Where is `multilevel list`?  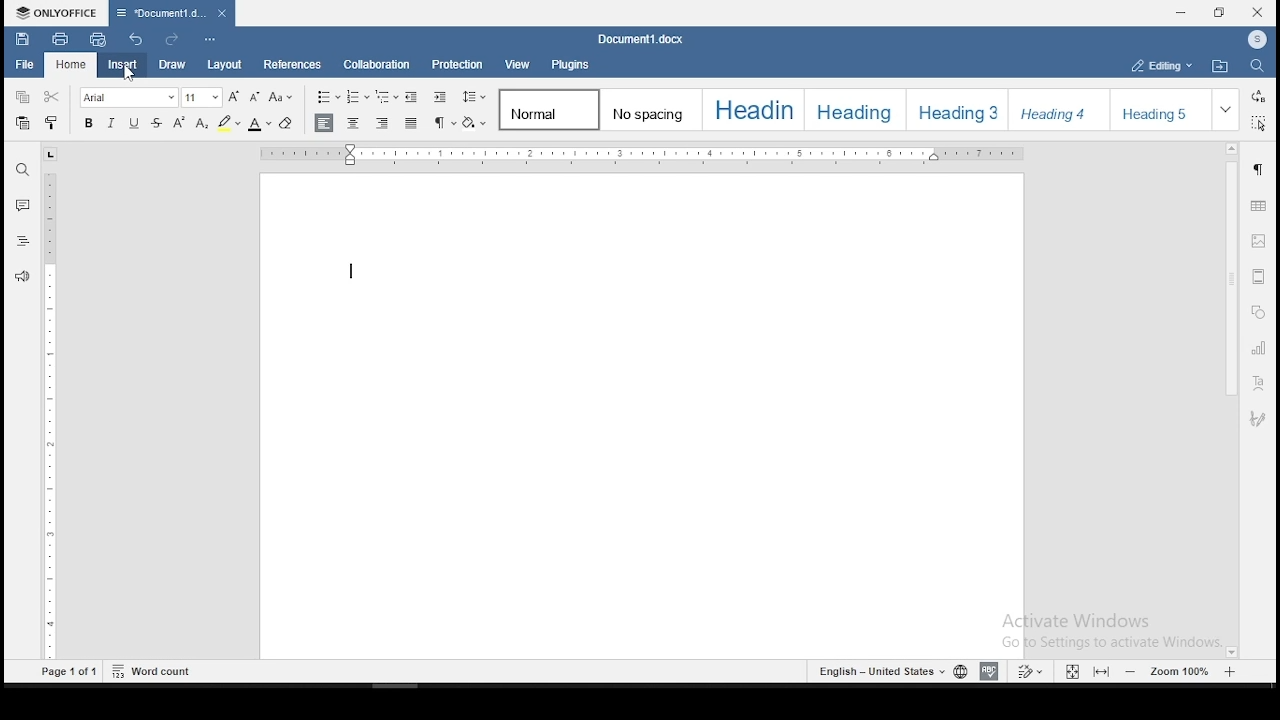 multilevel list is located at coordinates (387, 96).